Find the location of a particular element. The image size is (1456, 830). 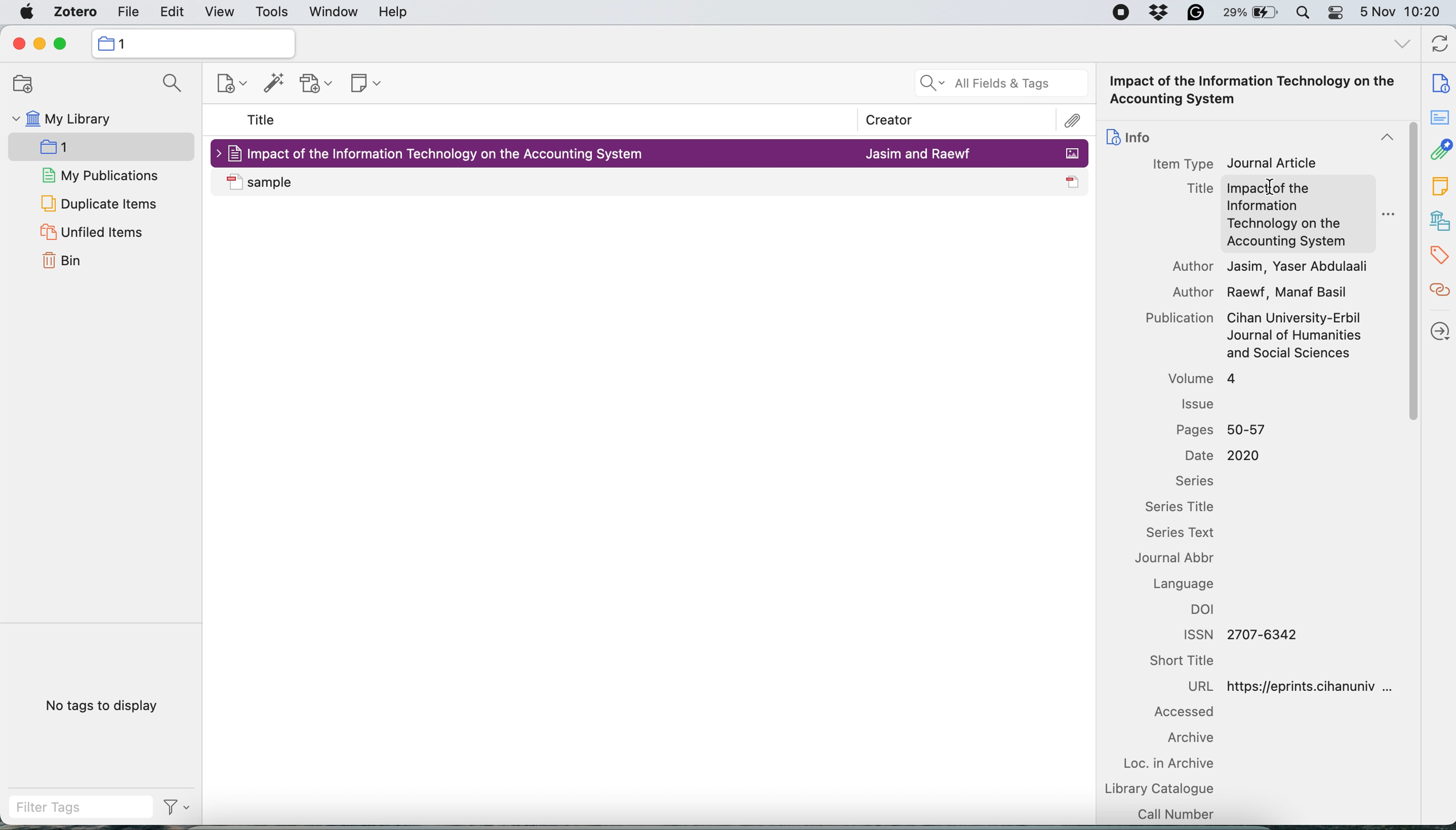

language is located at coordinates (1183, 584).